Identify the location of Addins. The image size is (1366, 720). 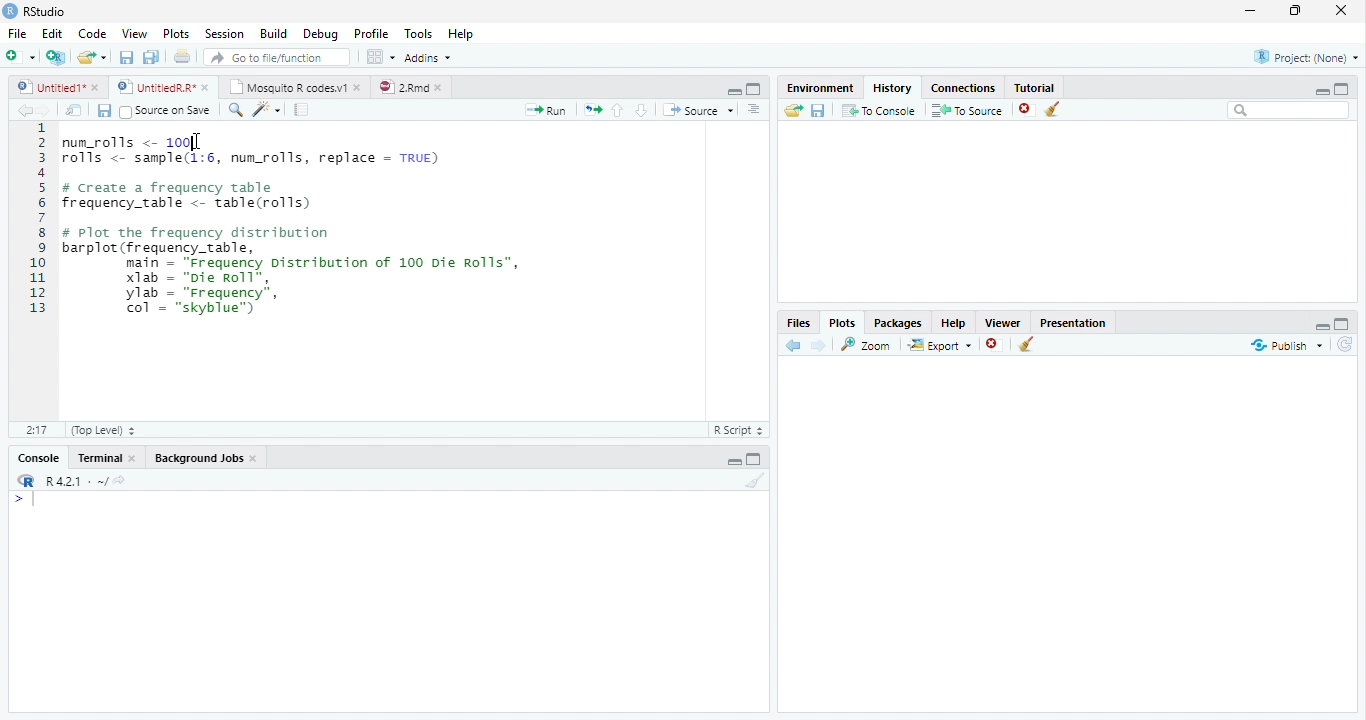
(431, 56).